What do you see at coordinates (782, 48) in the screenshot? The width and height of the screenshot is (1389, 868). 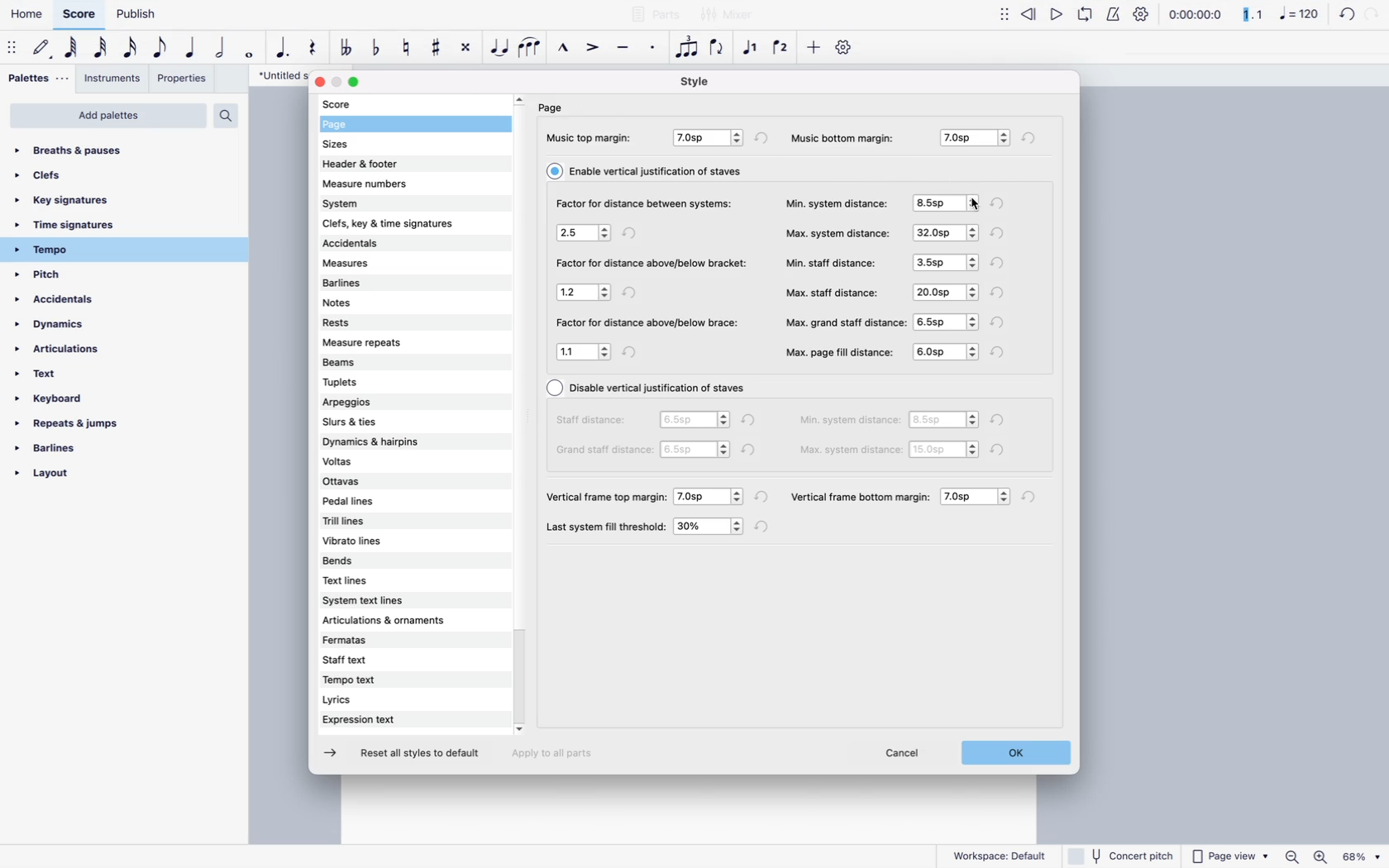 I see `voice 2` at bounding box center [782, 48].